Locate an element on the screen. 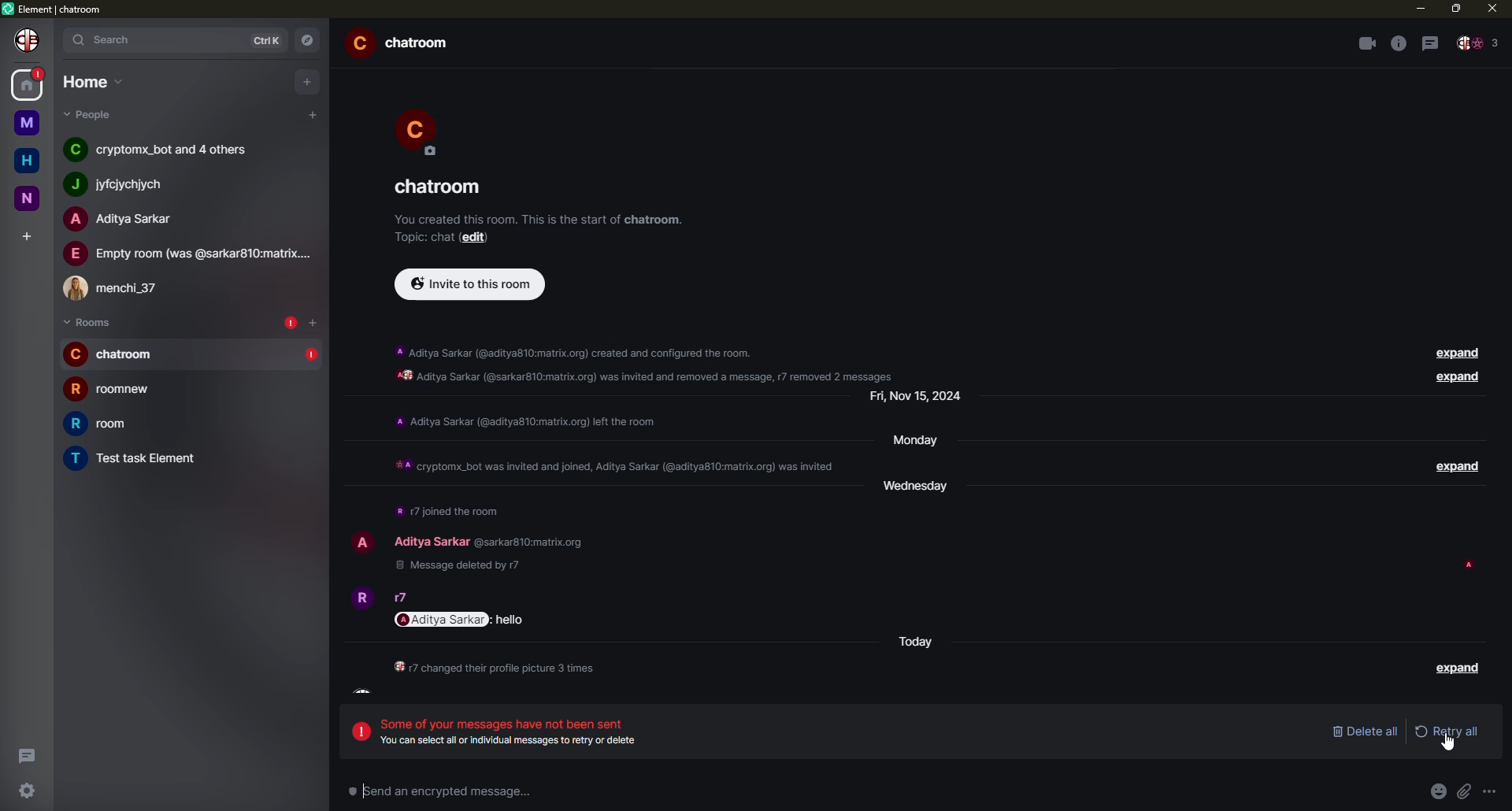  threads is located at coordinates (1430, 42).